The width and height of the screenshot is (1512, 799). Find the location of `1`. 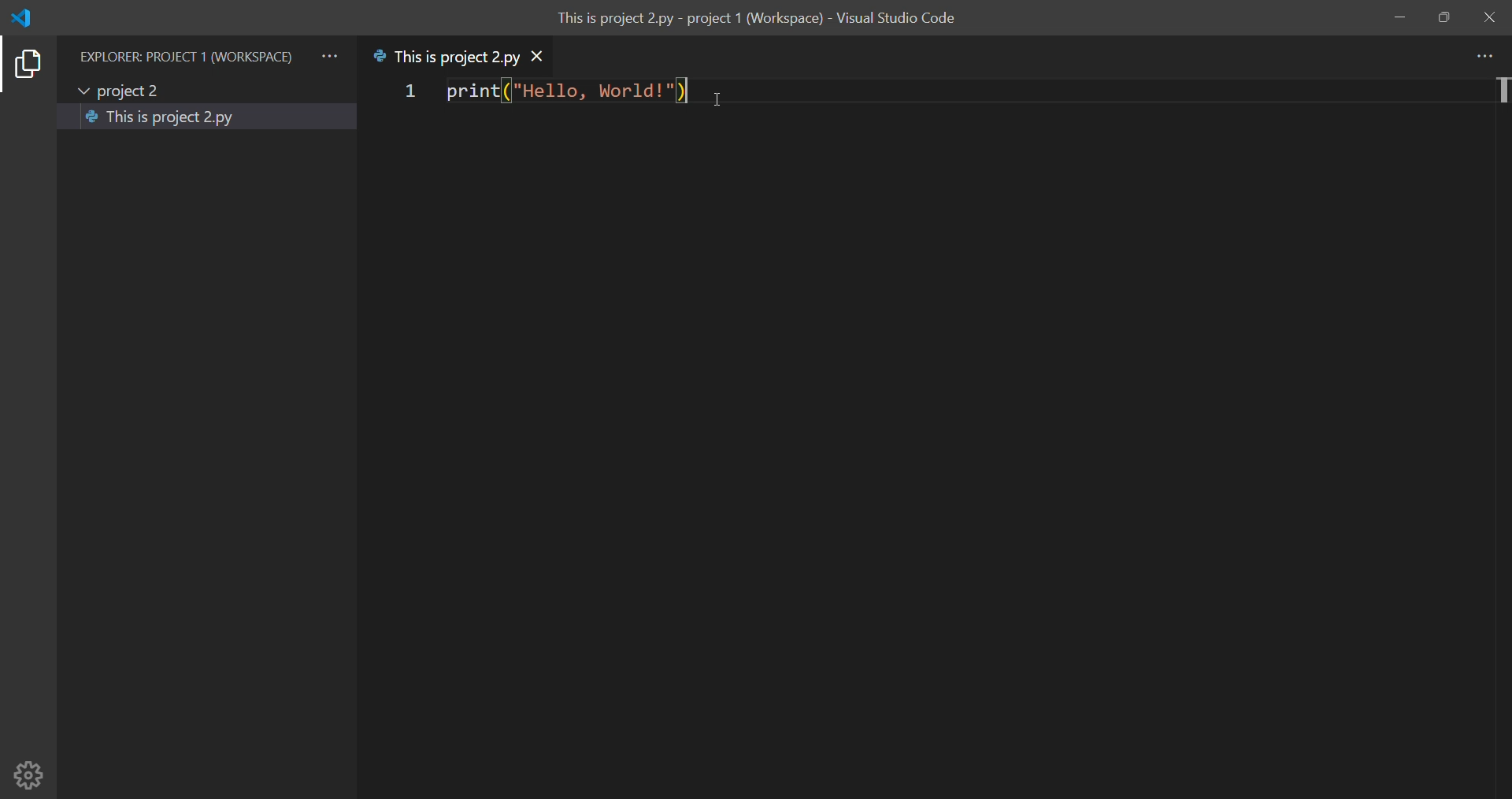

1 is located at coordinates (398, 93).